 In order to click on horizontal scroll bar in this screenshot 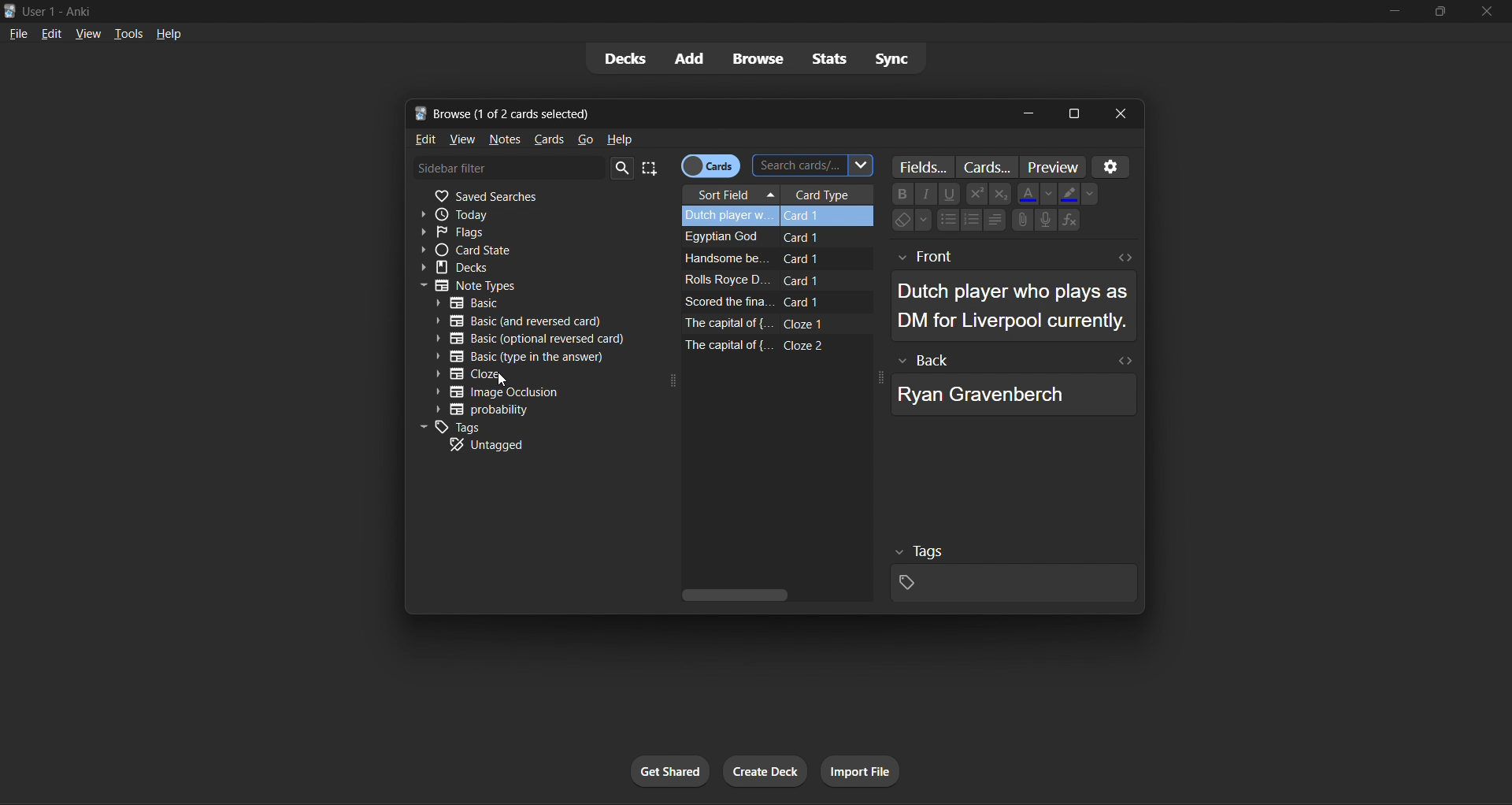, I will do `click(774, 594)`.